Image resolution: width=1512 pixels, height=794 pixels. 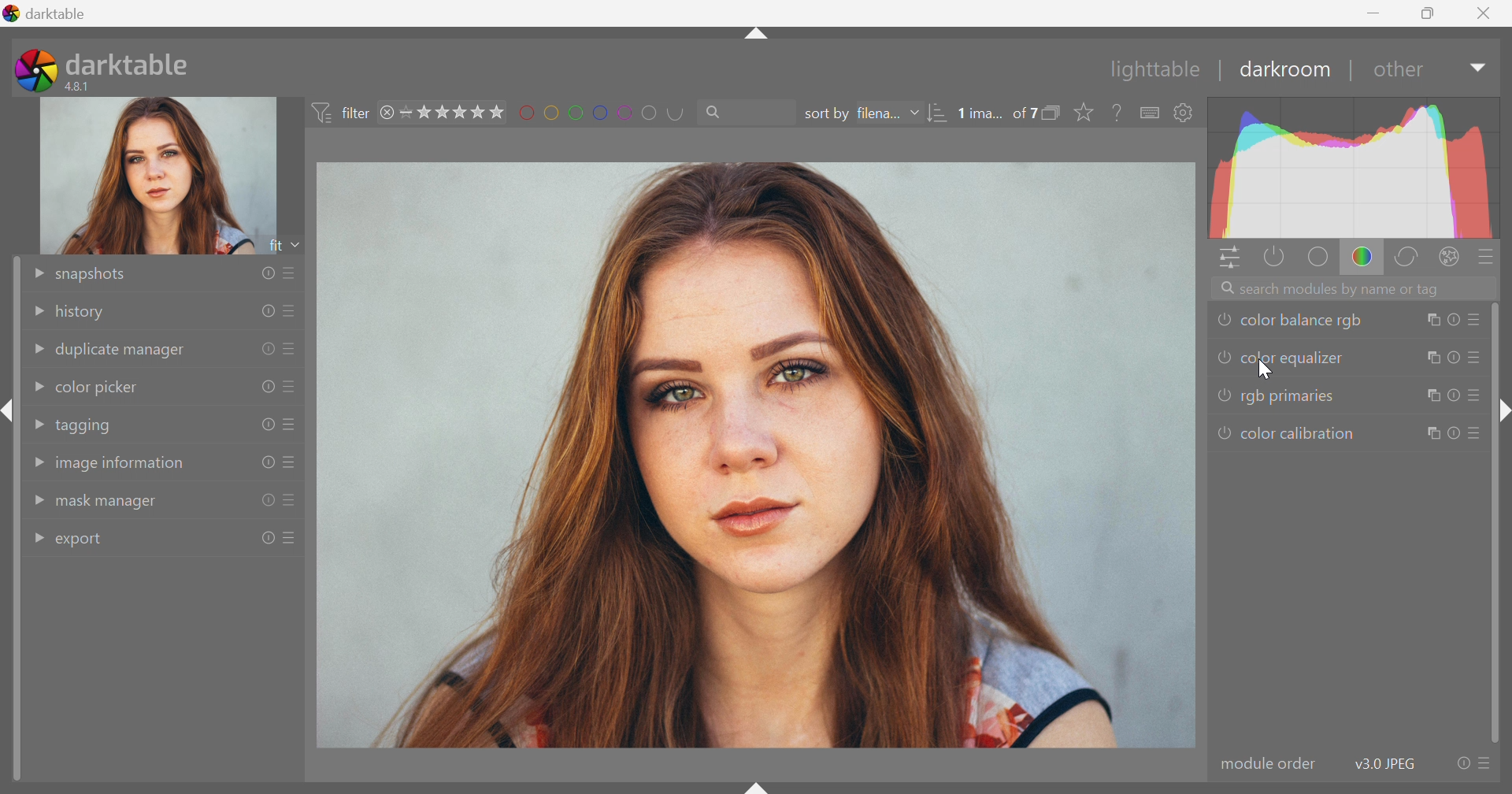 What do you see at coordinates (84, 86) in the screenshot?
I see `4.8.1` at bounding box center [84, 86].